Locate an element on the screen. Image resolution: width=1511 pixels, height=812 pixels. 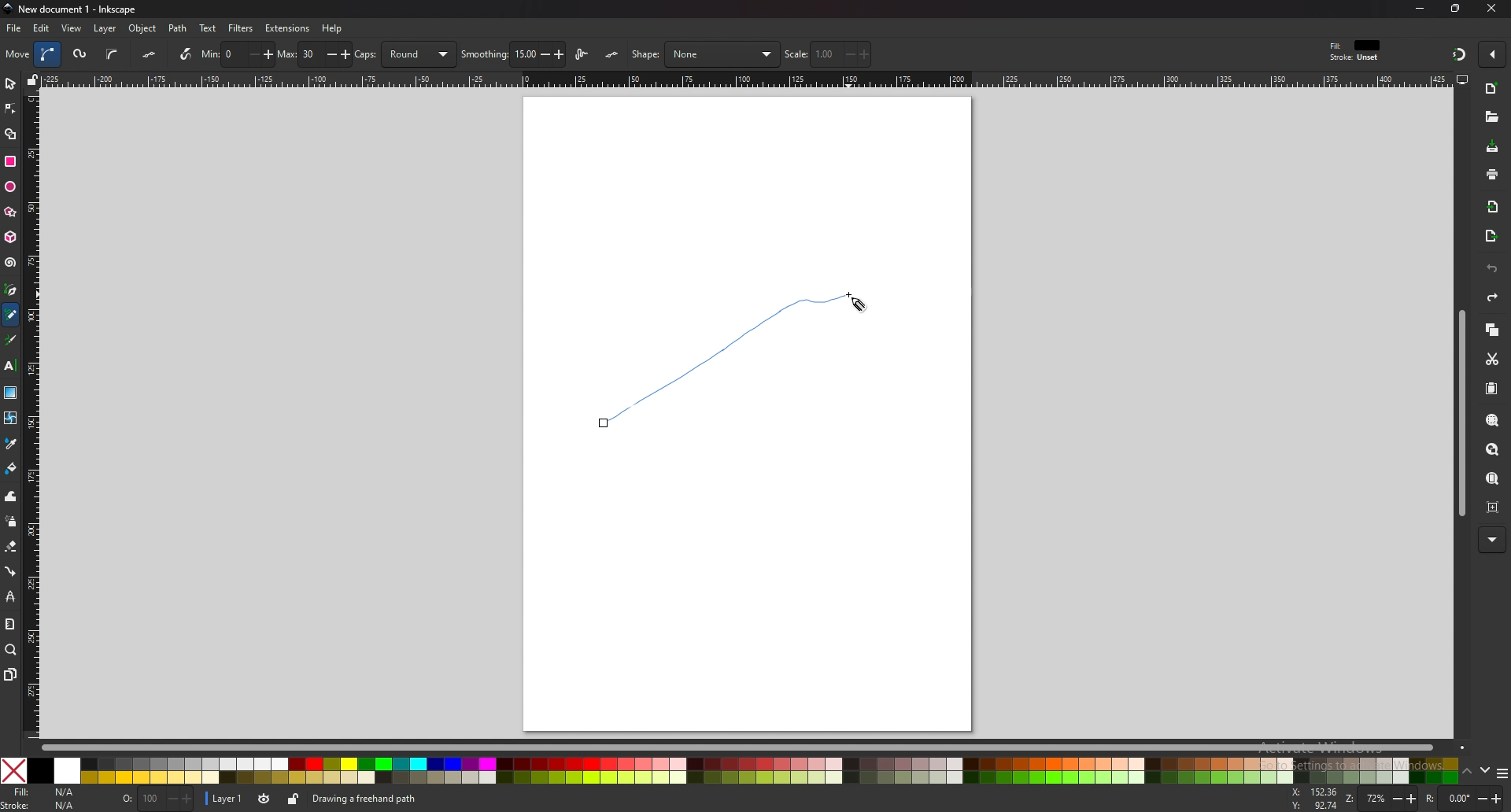
flatten spiro is located at coordinates (150, 54).